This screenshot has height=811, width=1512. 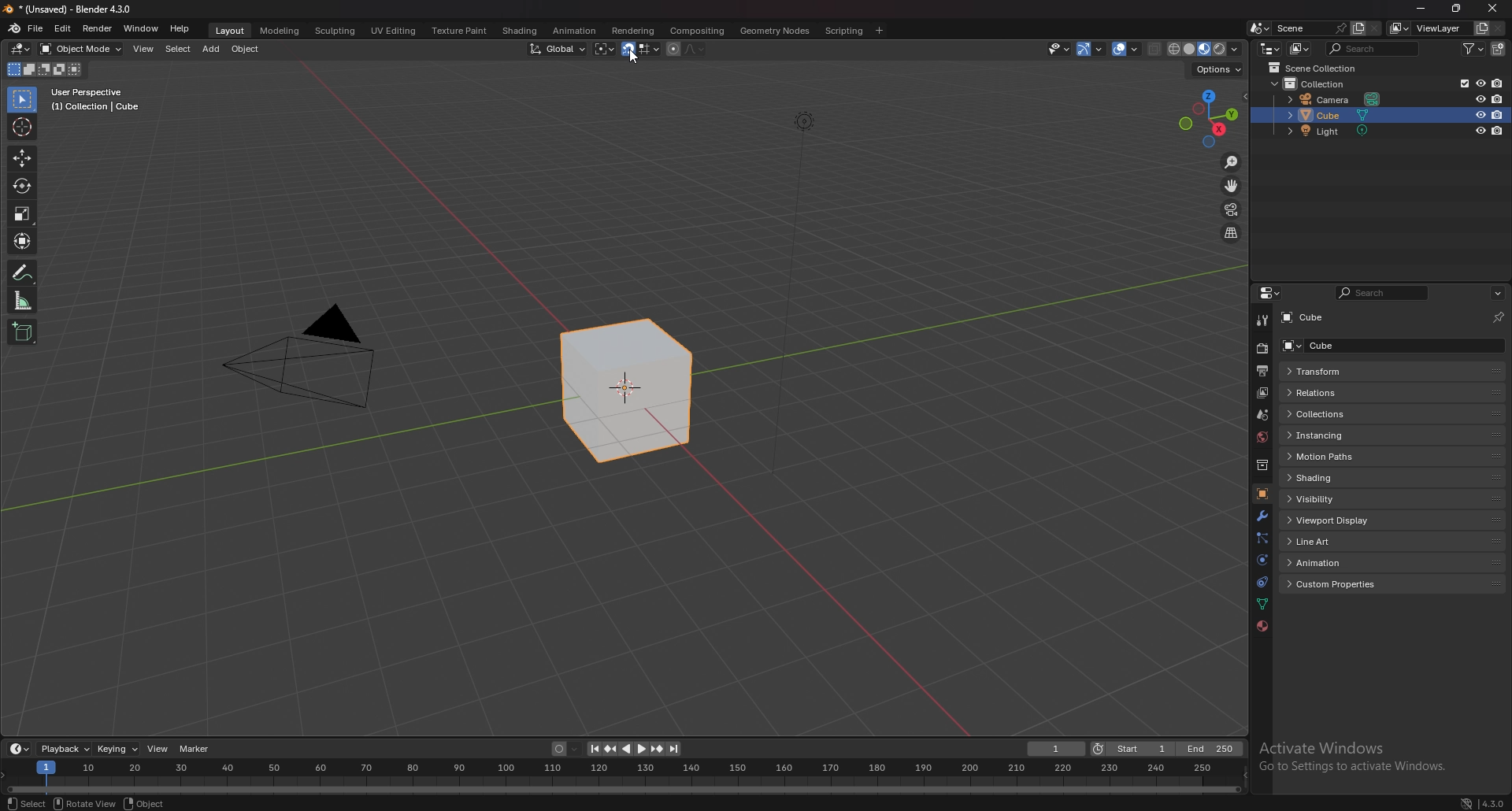 I want to click on selectibility and visibility, so click(x=1060, y=50).